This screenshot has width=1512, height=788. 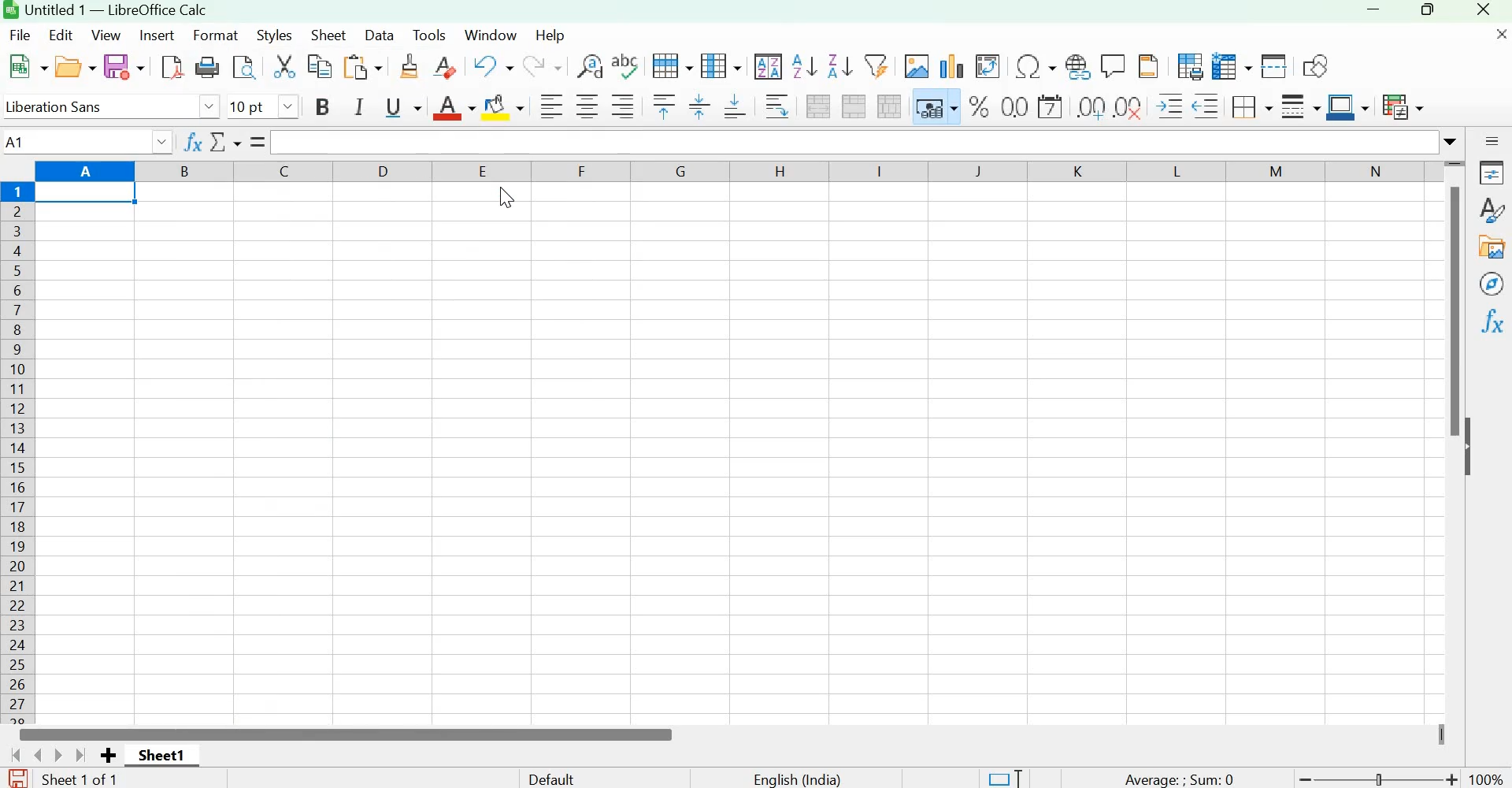 What do you see at coordinates (75, 67) in the screenshot?
I see `Open` at bounding box center [75, 67].